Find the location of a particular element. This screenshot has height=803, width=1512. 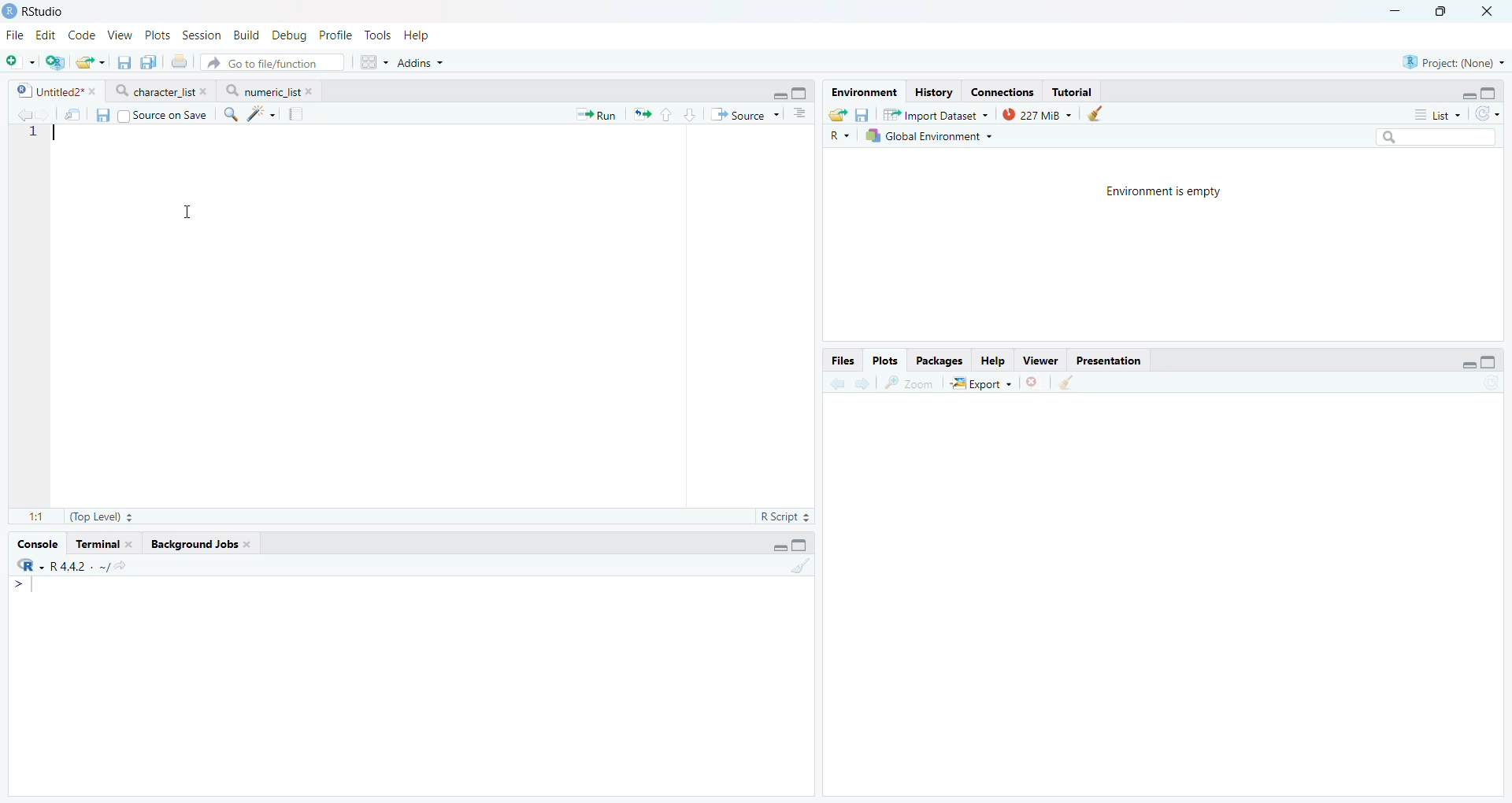

History is located at coordinates (933, 92).